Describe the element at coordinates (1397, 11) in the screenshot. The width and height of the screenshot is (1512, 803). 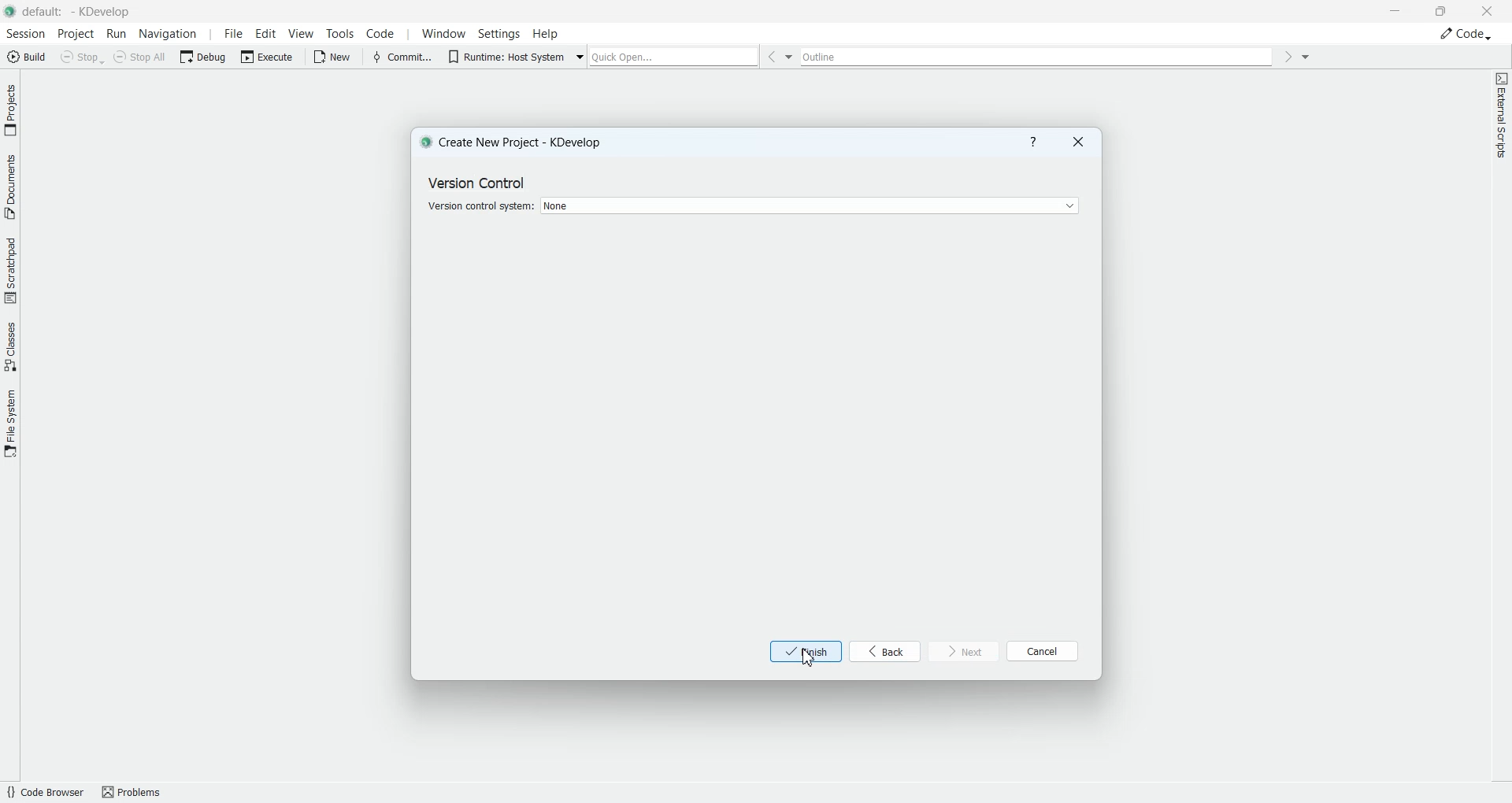
I see `Minimize` at that location.